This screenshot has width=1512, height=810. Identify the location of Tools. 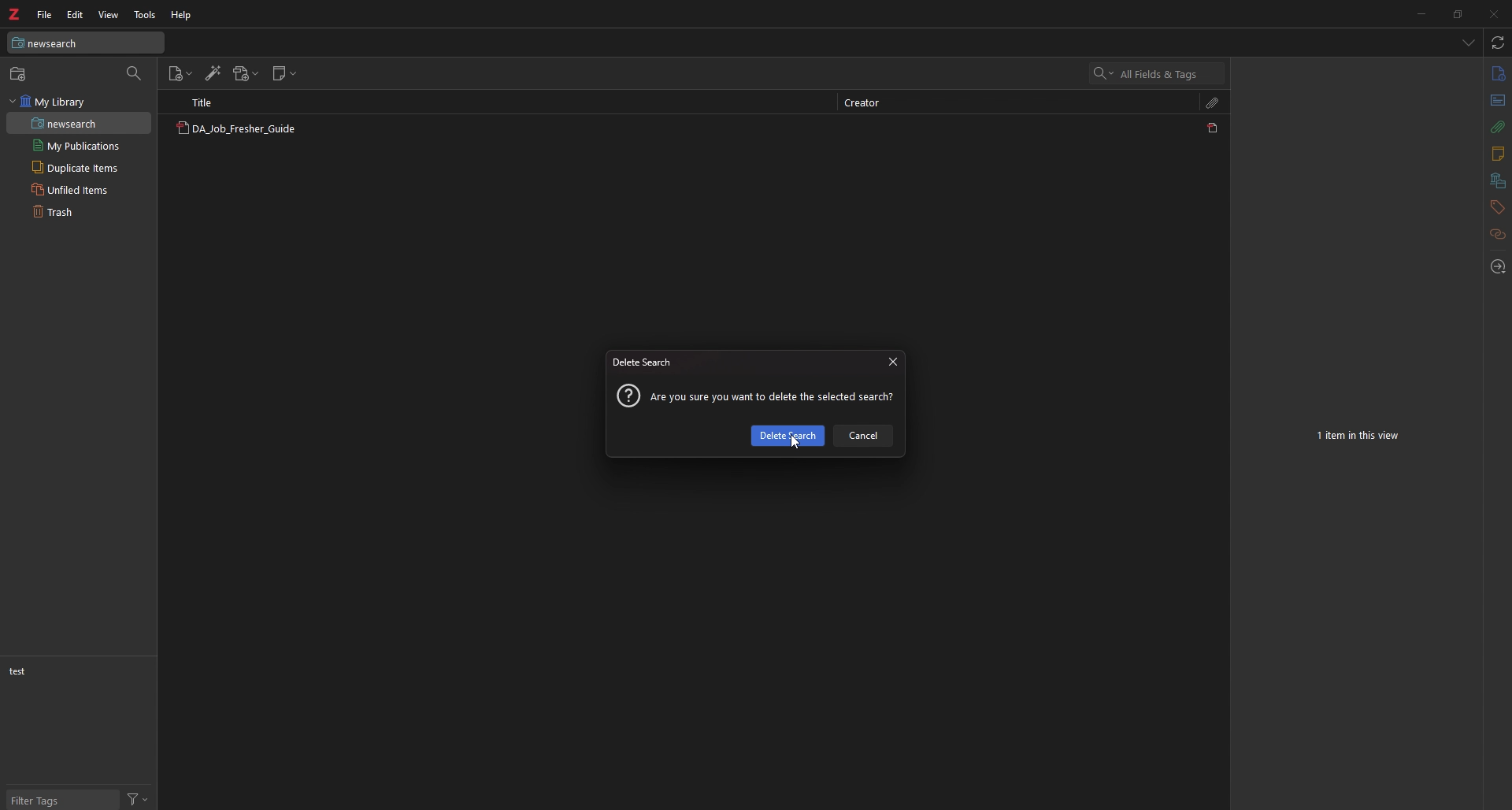
(141, 13).